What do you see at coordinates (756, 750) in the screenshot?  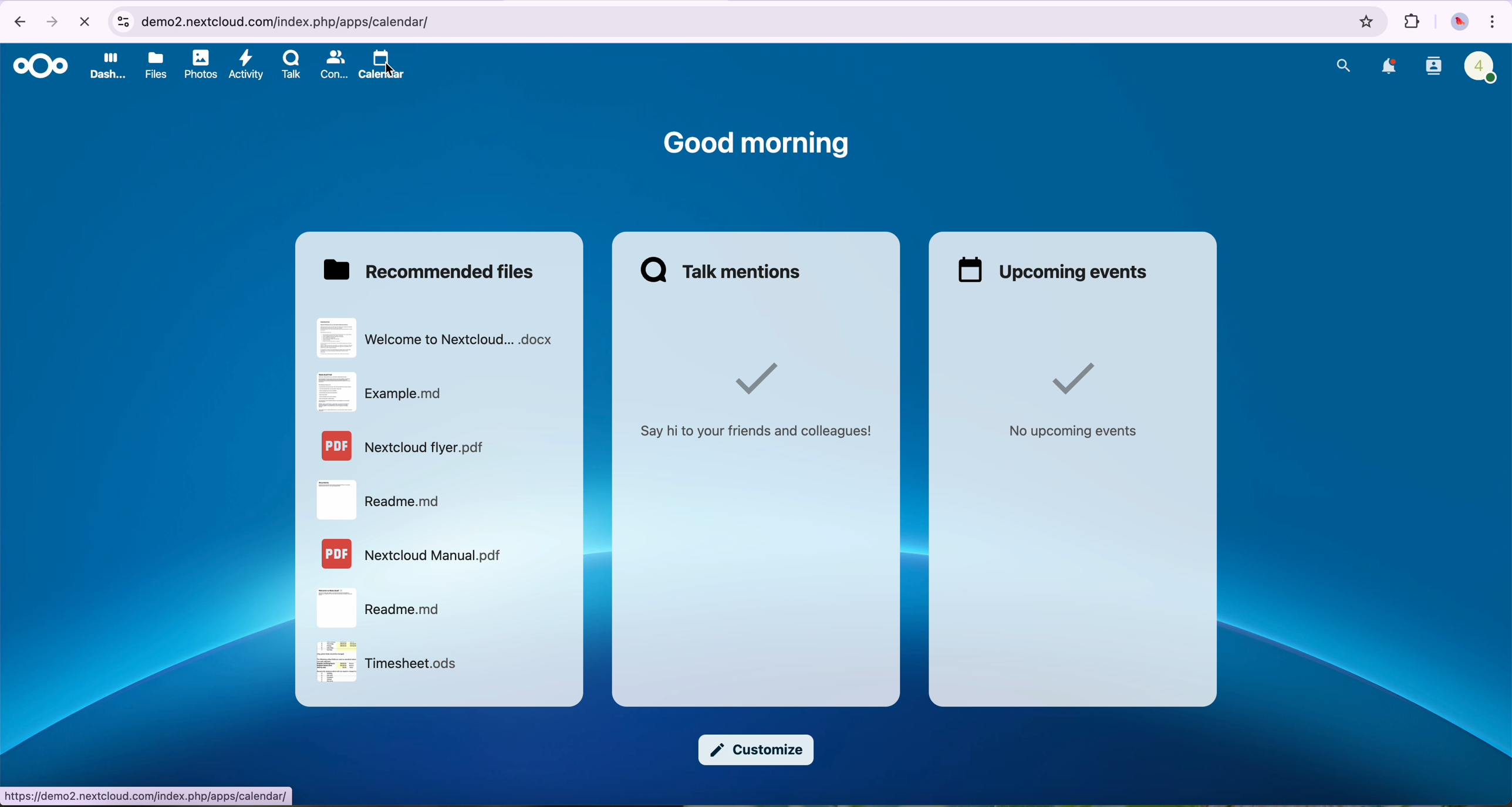 I see `customize` at bounding box center [756, 750].